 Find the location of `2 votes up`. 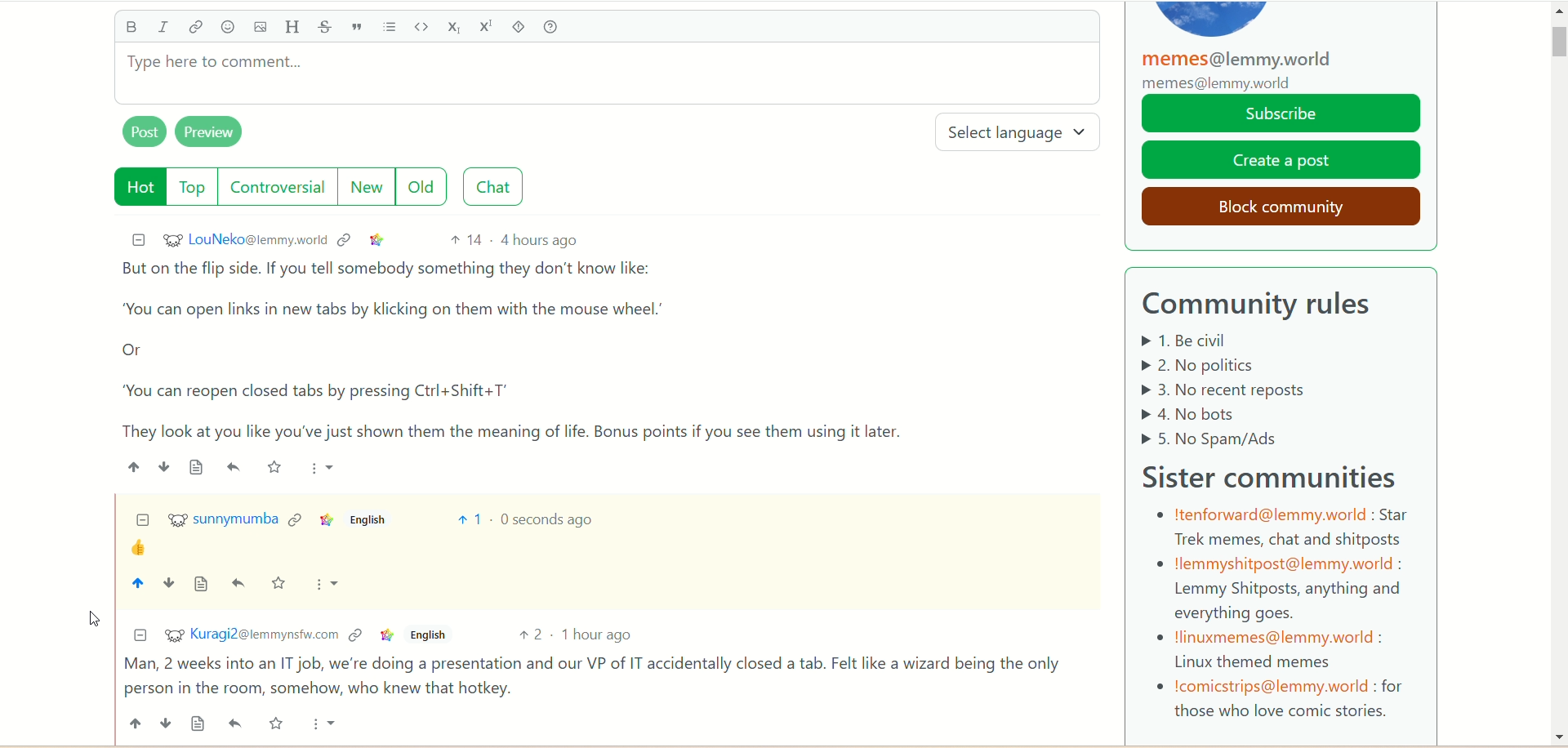

2 votes up is located at coordinates (532, 638).